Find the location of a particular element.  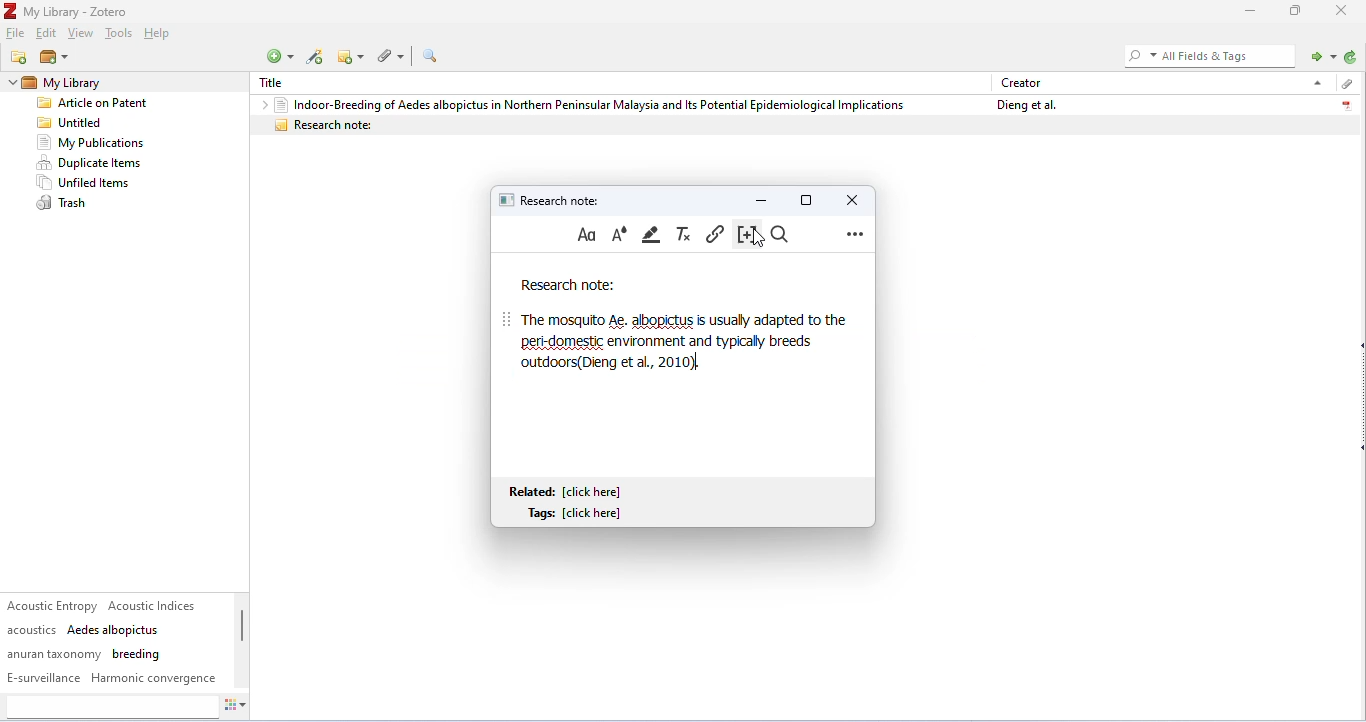

add item is located at coordinates (316, 57).